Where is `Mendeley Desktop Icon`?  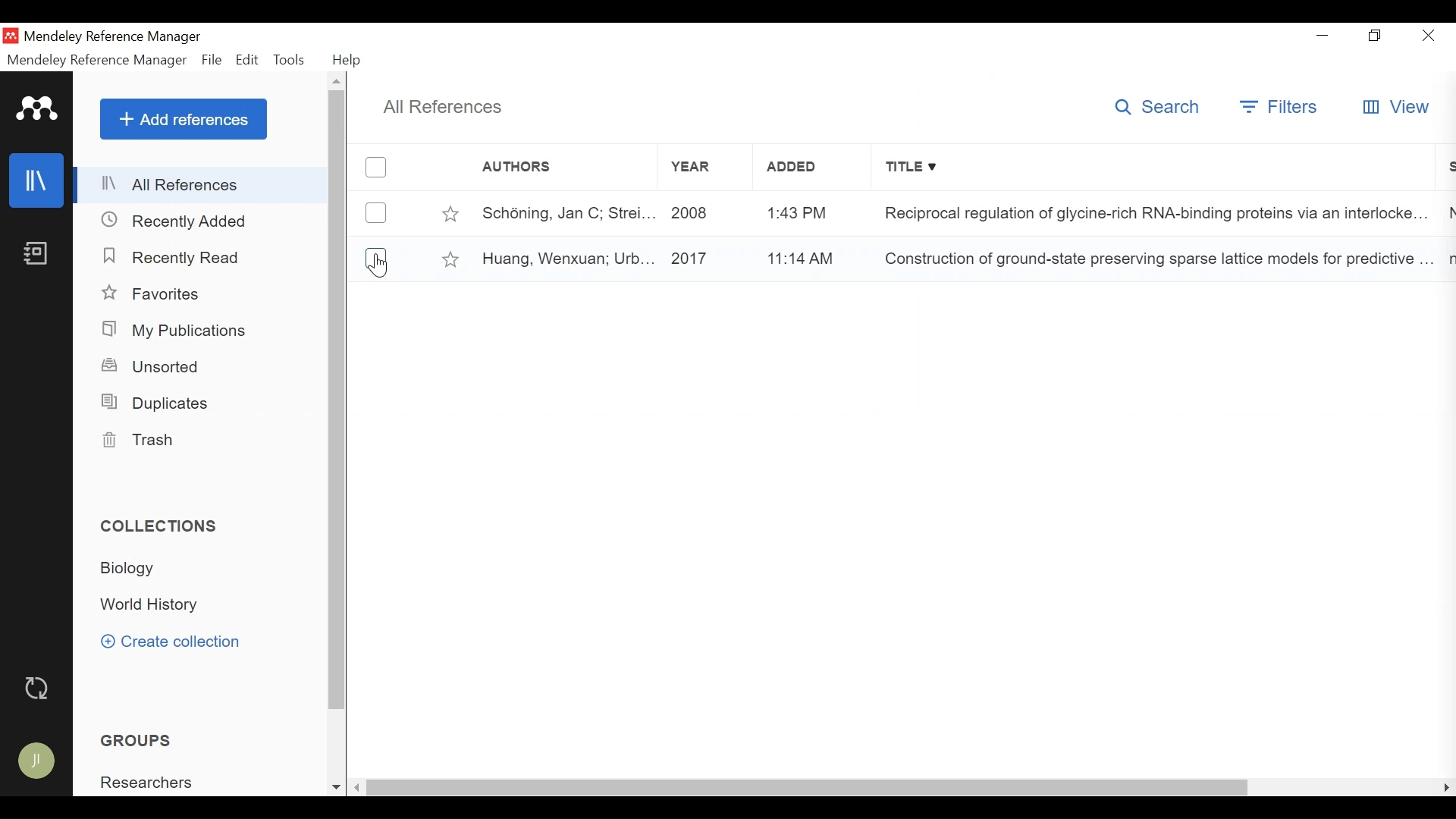
Mendeley Desktop Icon is located at coordinates (11, 37).